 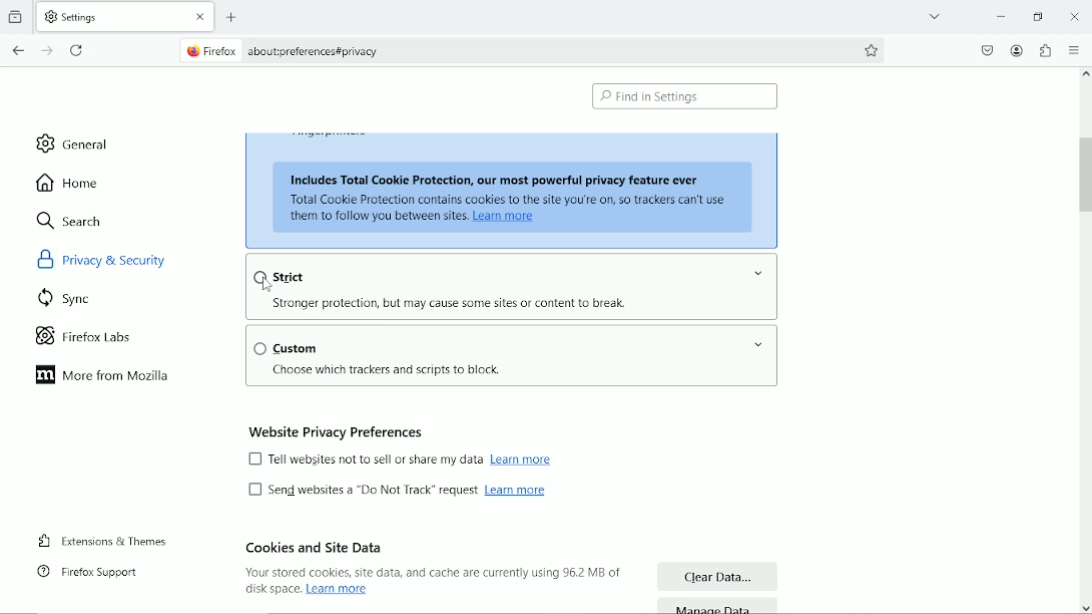 I want to click on list all tabs, so click(x=934, y=15).